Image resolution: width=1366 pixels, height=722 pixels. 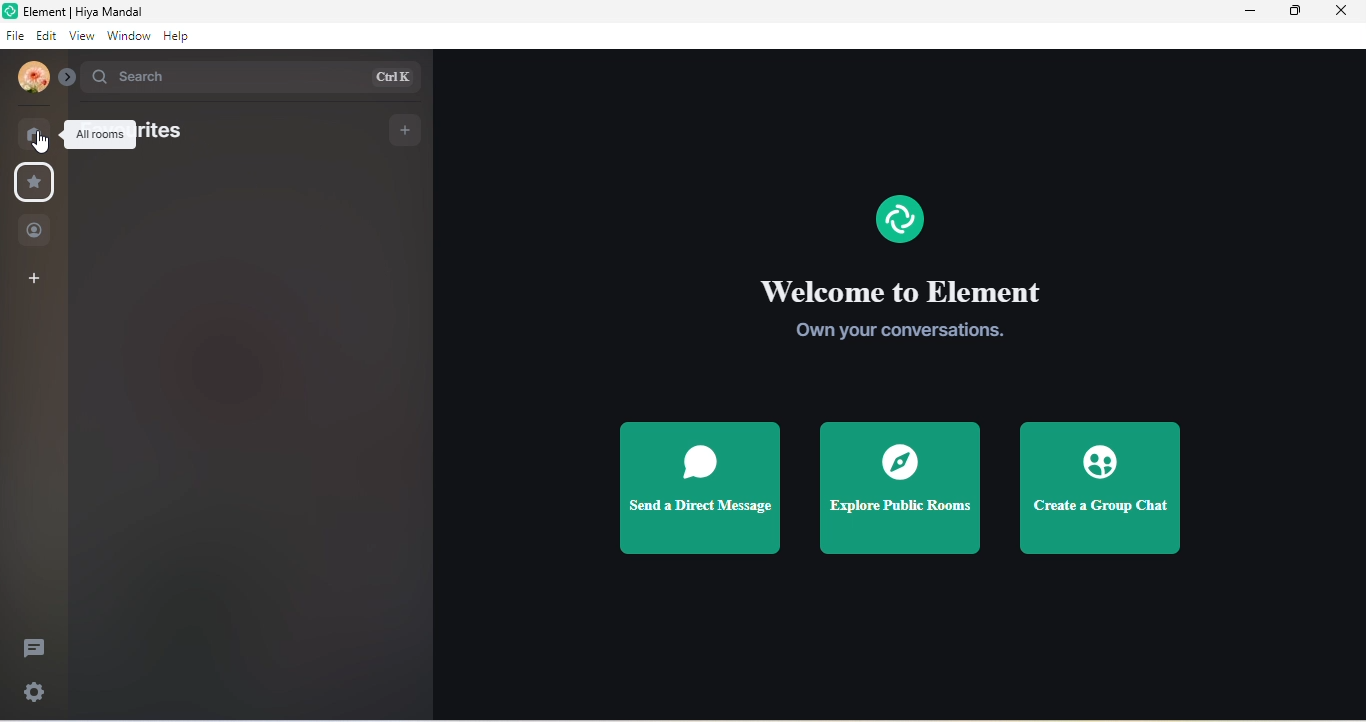 I want to click on Element | Hiya Mandal, so click(x=83, y=11).